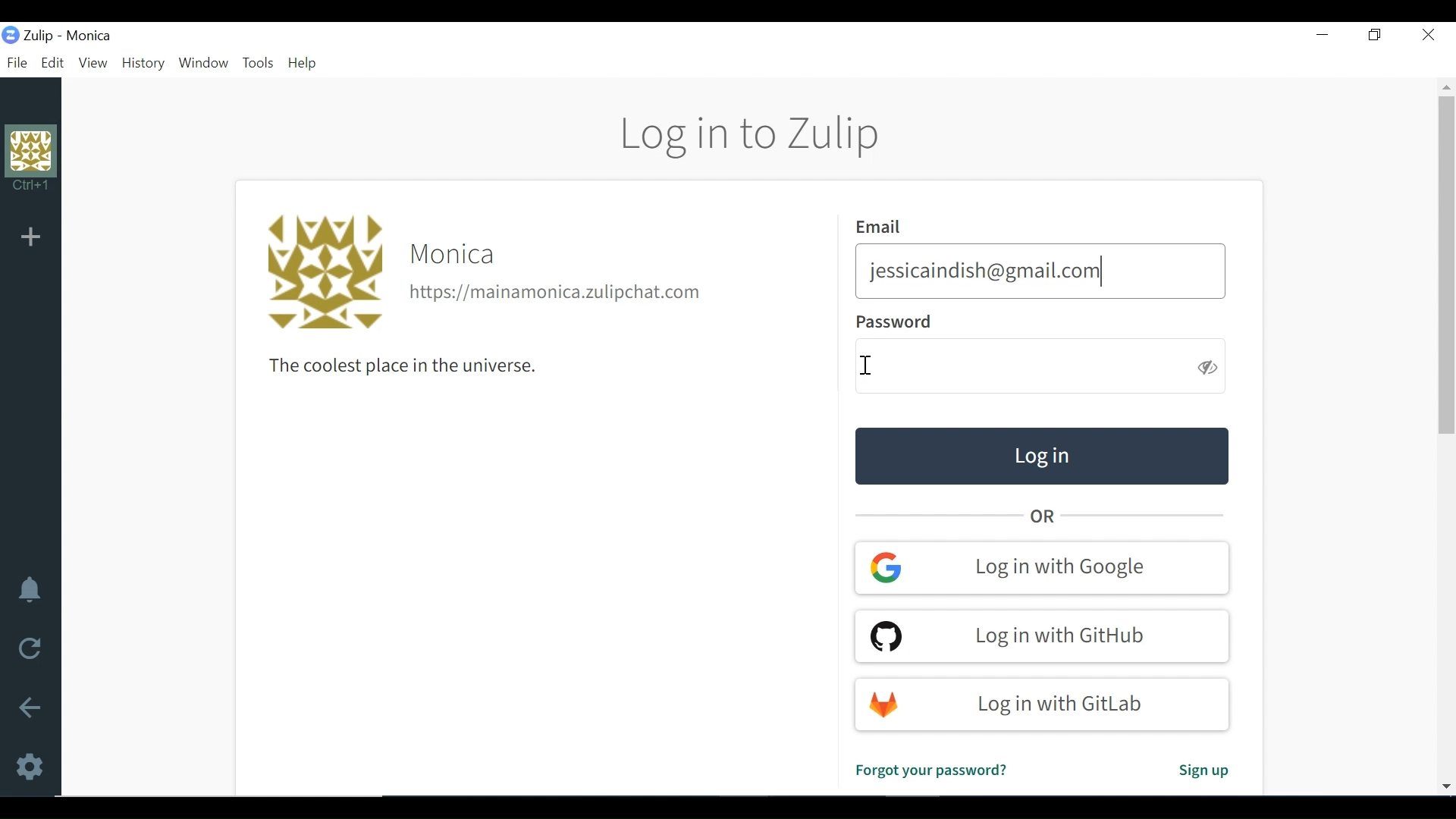 This screenshot has height=819, width=1456. Describe the element at coordinates (1041, 635) in the screenshot. I see `Log in with GitHub` at that location.